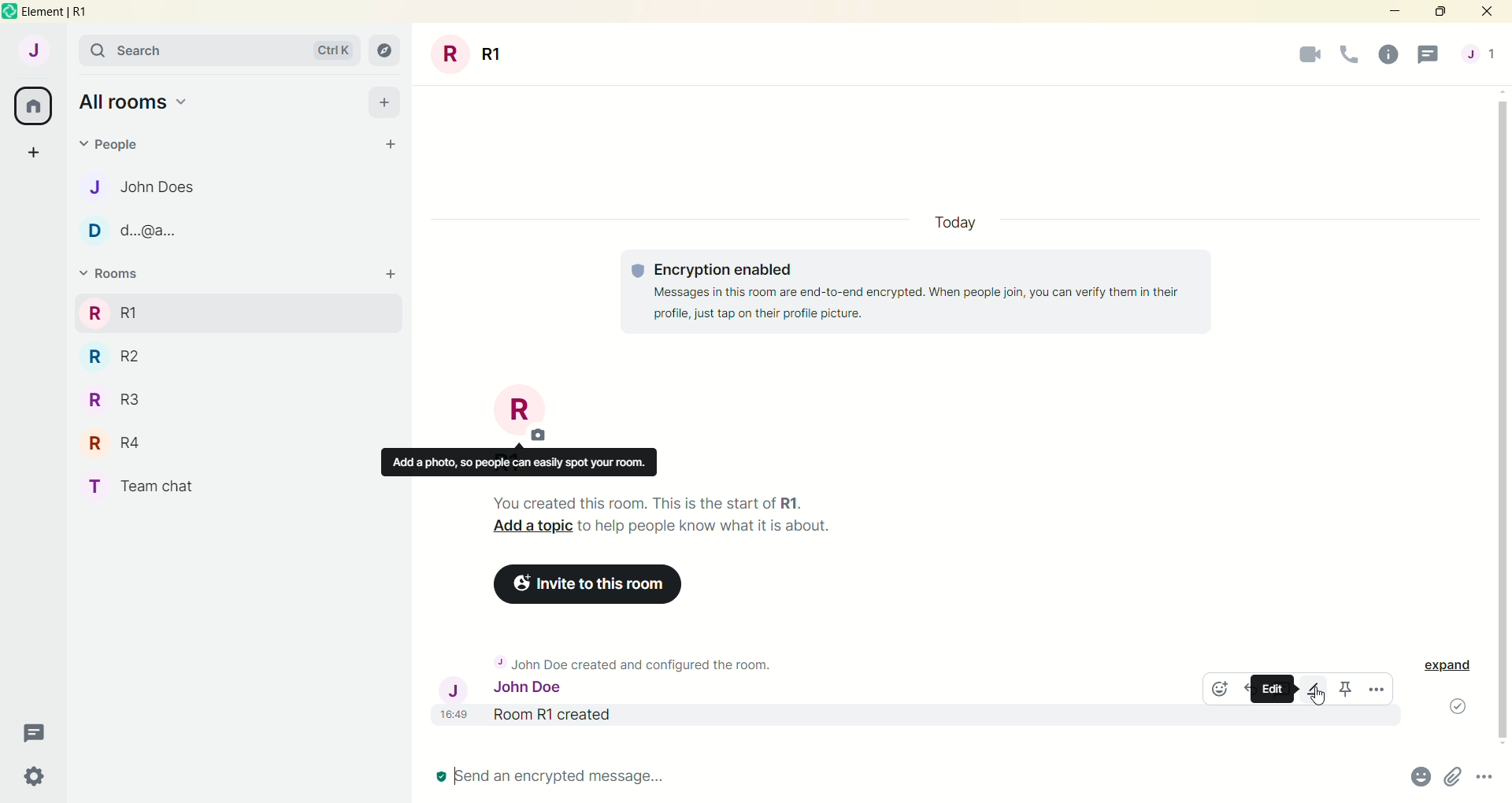 This screenshot has height=803, width=1512. Describe the element at coordinates (1487, 779) in the screenshot. I see `options` at that location.